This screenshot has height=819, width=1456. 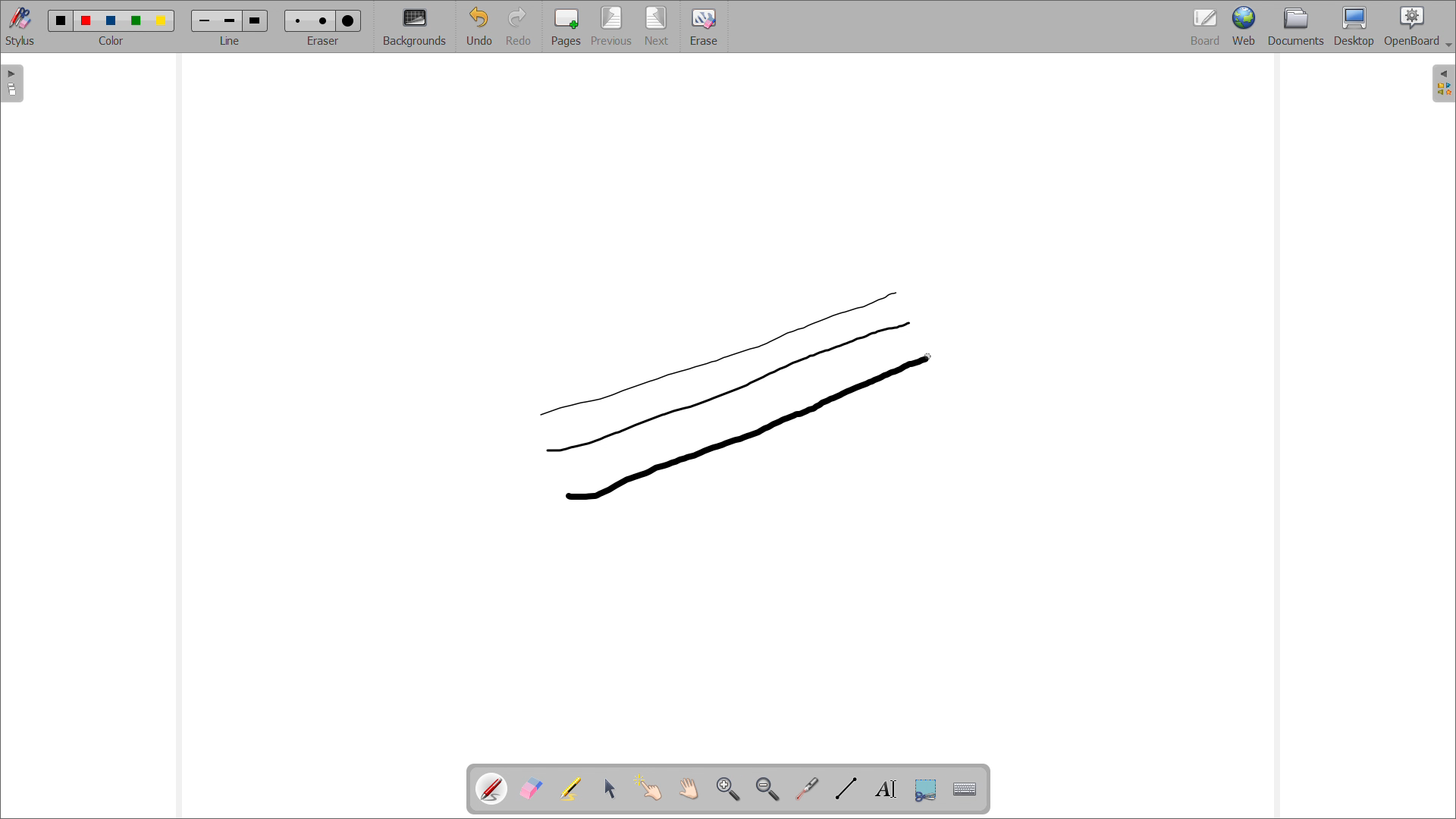 I want to click on virtual laser pointer, so click(x=808, y=787).